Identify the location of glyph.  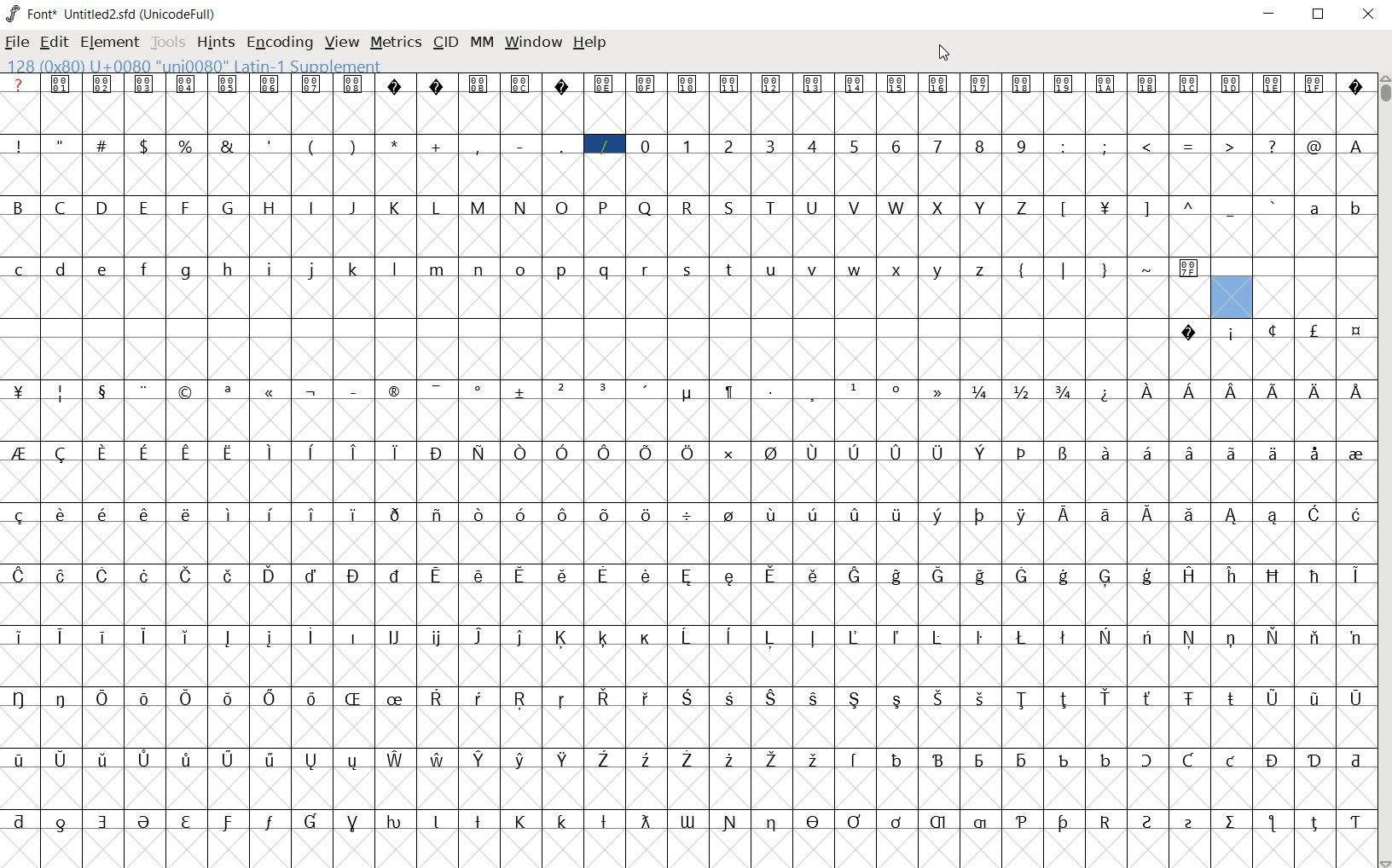
(61, 514).